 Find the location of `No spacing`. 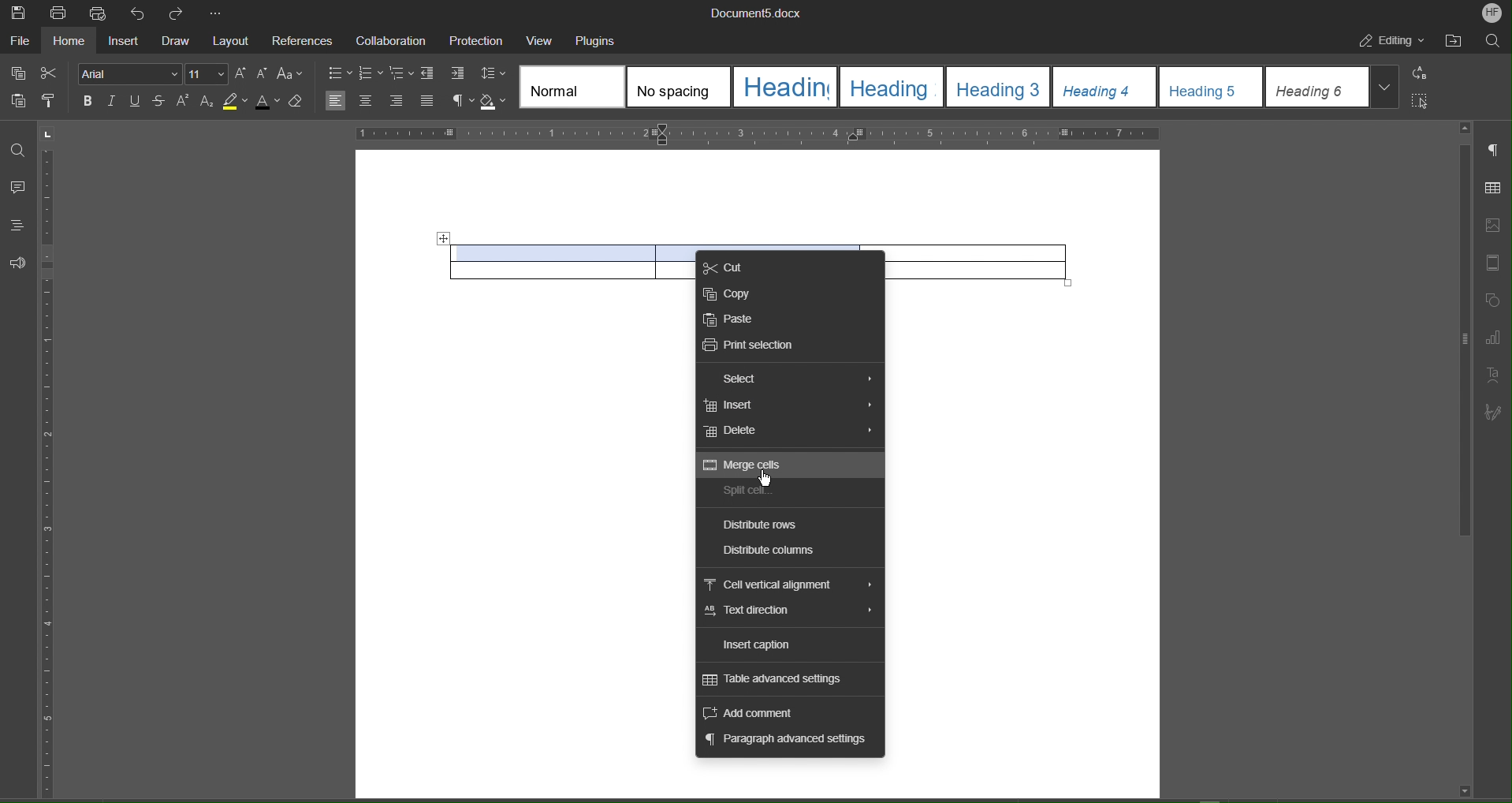

No spacing is located at coordinates (679, 87).